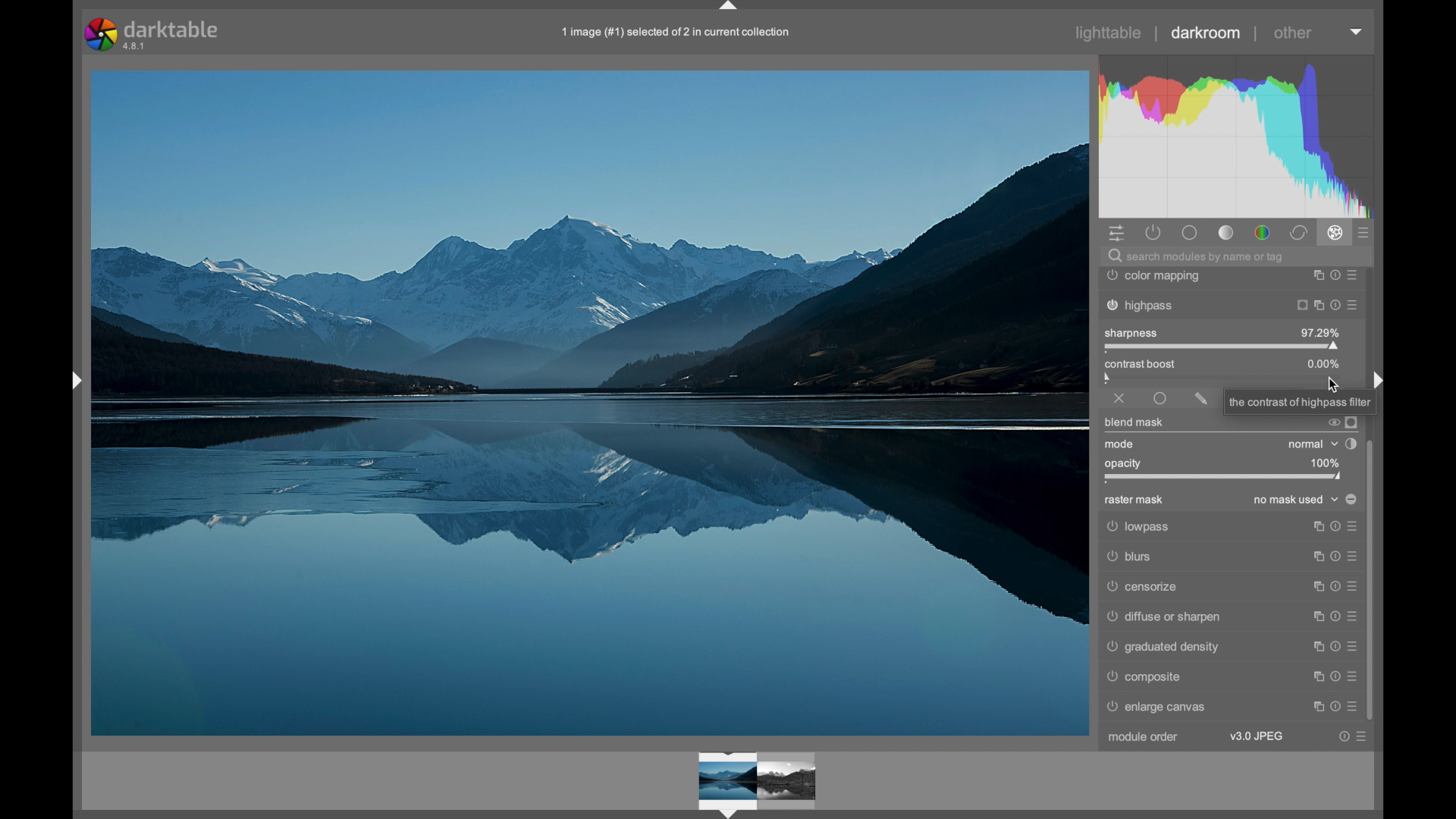  Describe the element at coordinates (1335, 389) in the screenshot. I see `cursor` at that location.